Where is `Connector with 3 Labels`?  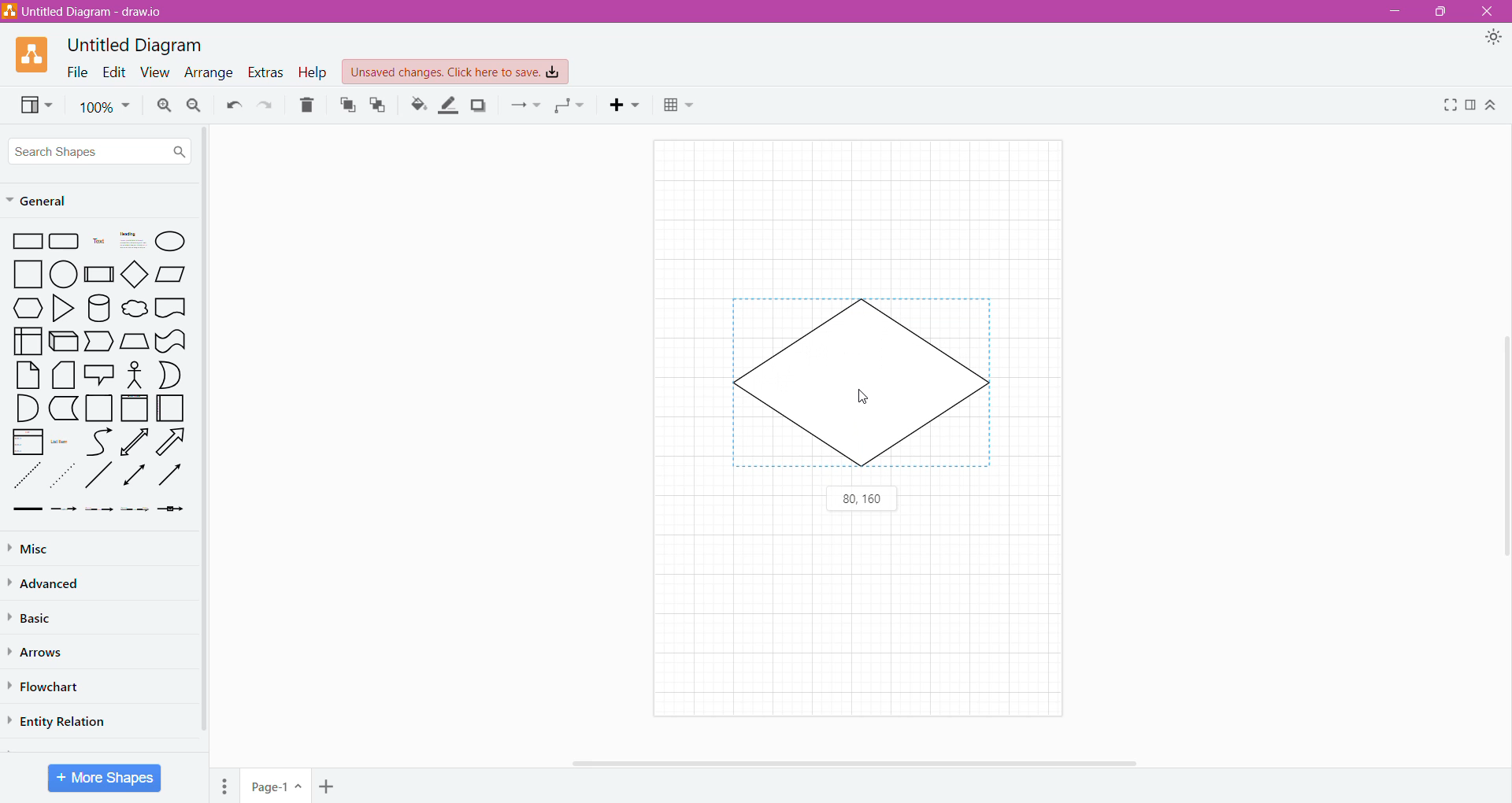 Connector with 3 Labels is located at coordinates (137, 511).